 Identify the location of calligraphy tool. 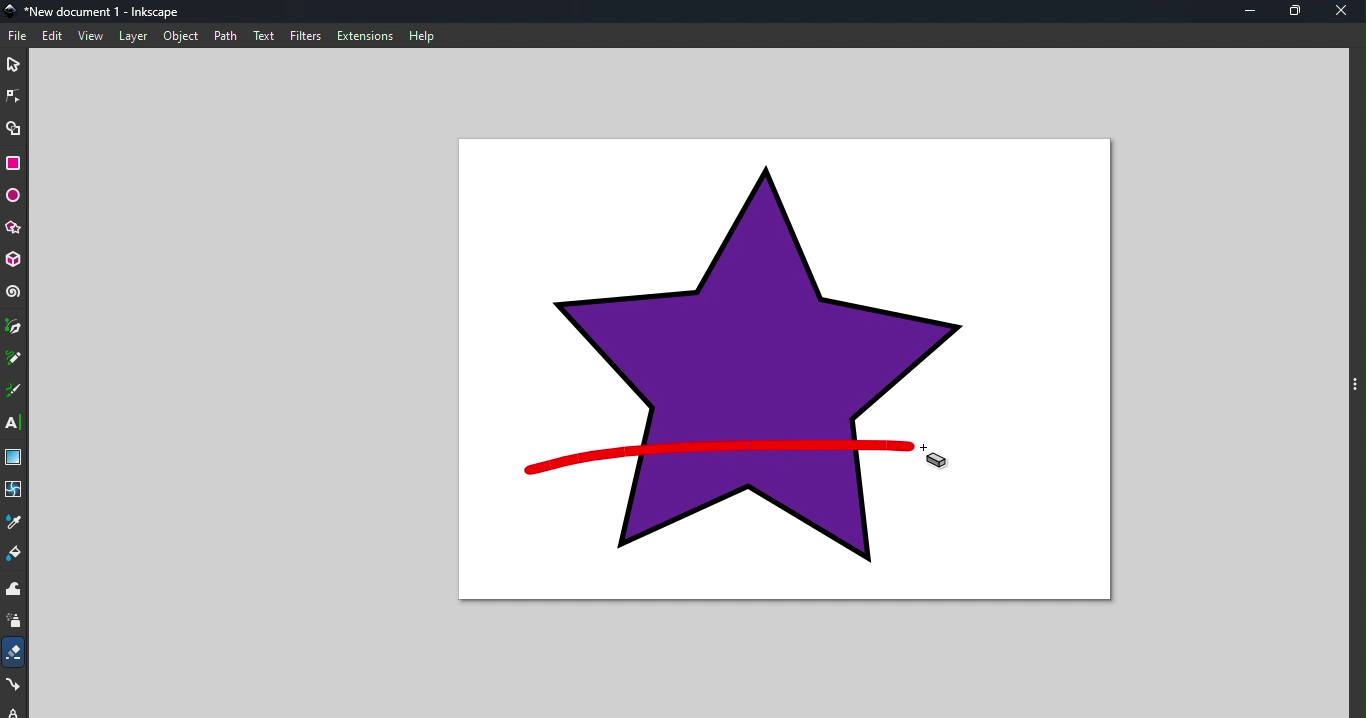
(14, 391).